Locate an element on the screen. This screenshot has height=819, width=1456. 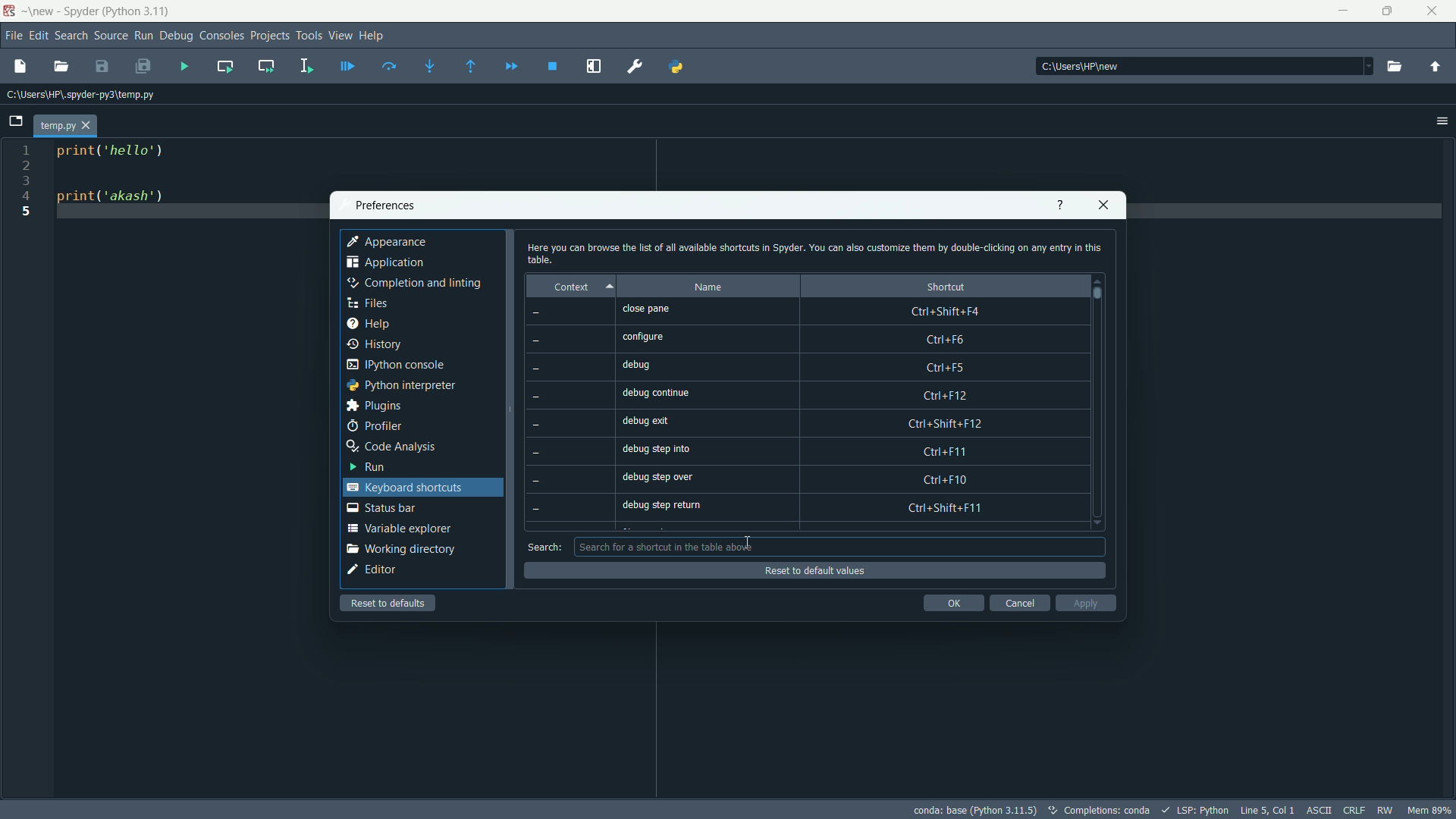
-, debug step into, ctrl+f11 is located at coordinates (802, 453).